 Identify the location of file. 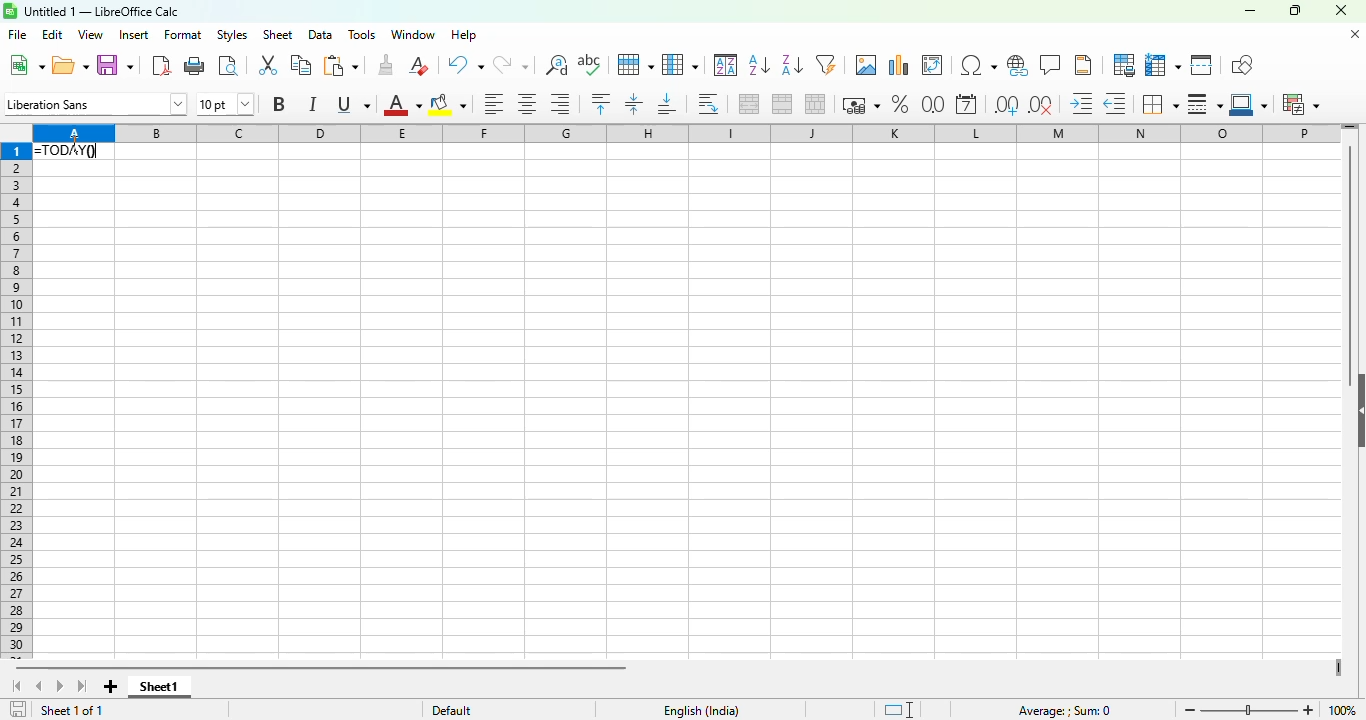
(17, 34).